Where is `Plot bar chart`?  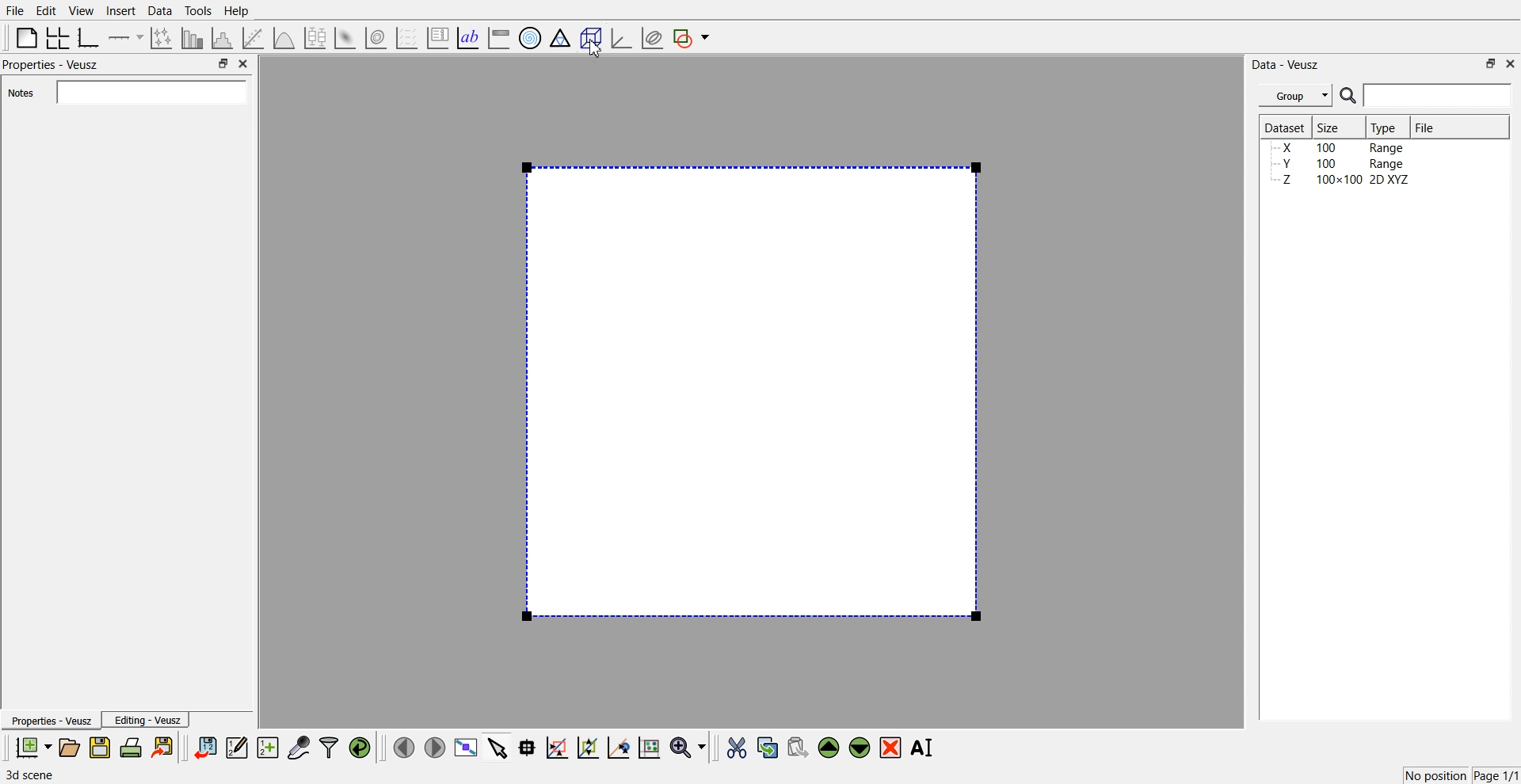 Plot bar chart is located at coordinates (192, 38).